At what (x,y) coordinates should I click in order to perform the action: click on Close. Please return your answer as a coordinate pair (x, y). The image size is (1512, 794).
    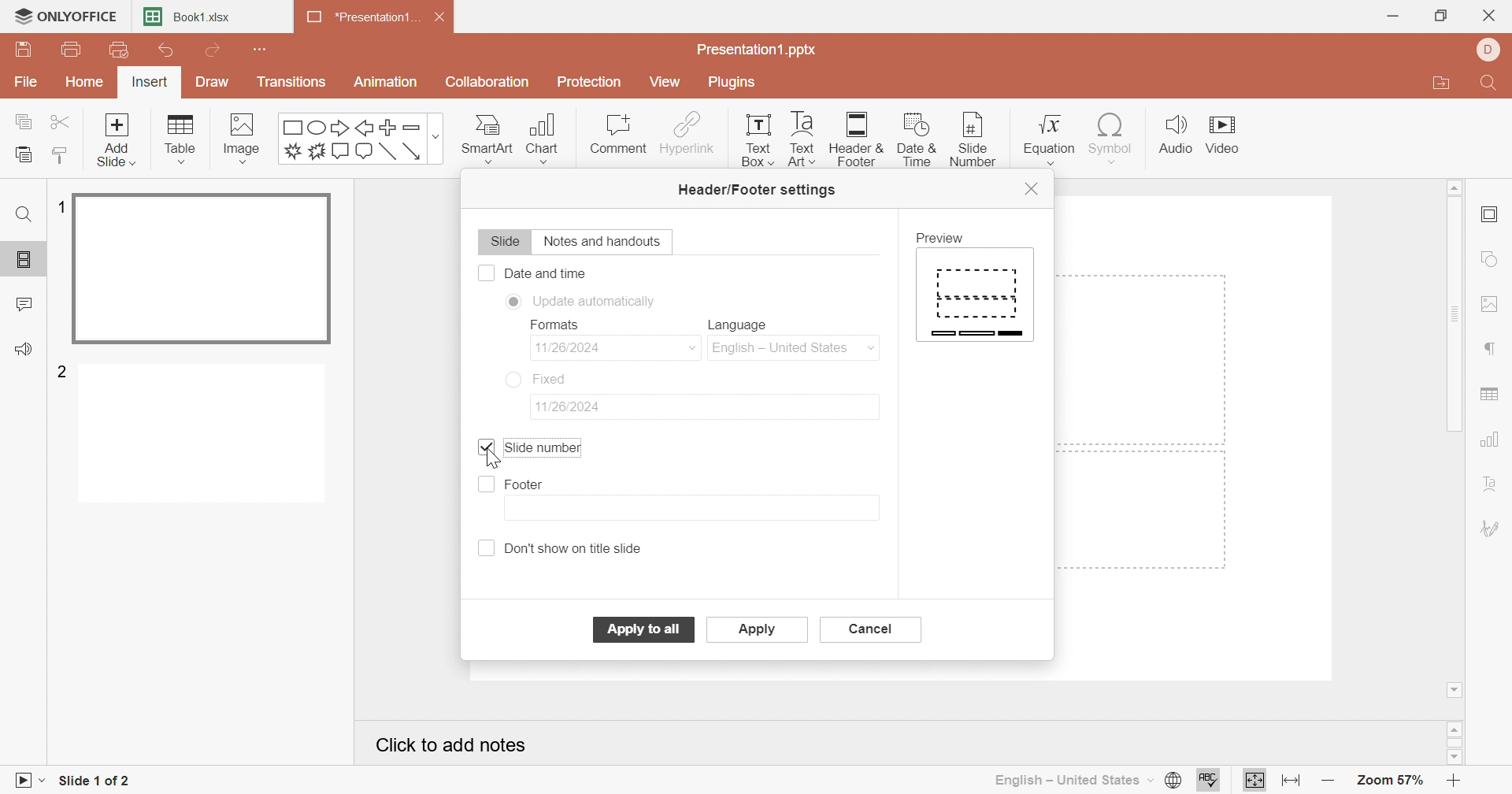
    Looking at the image, I should click on (445, 20).